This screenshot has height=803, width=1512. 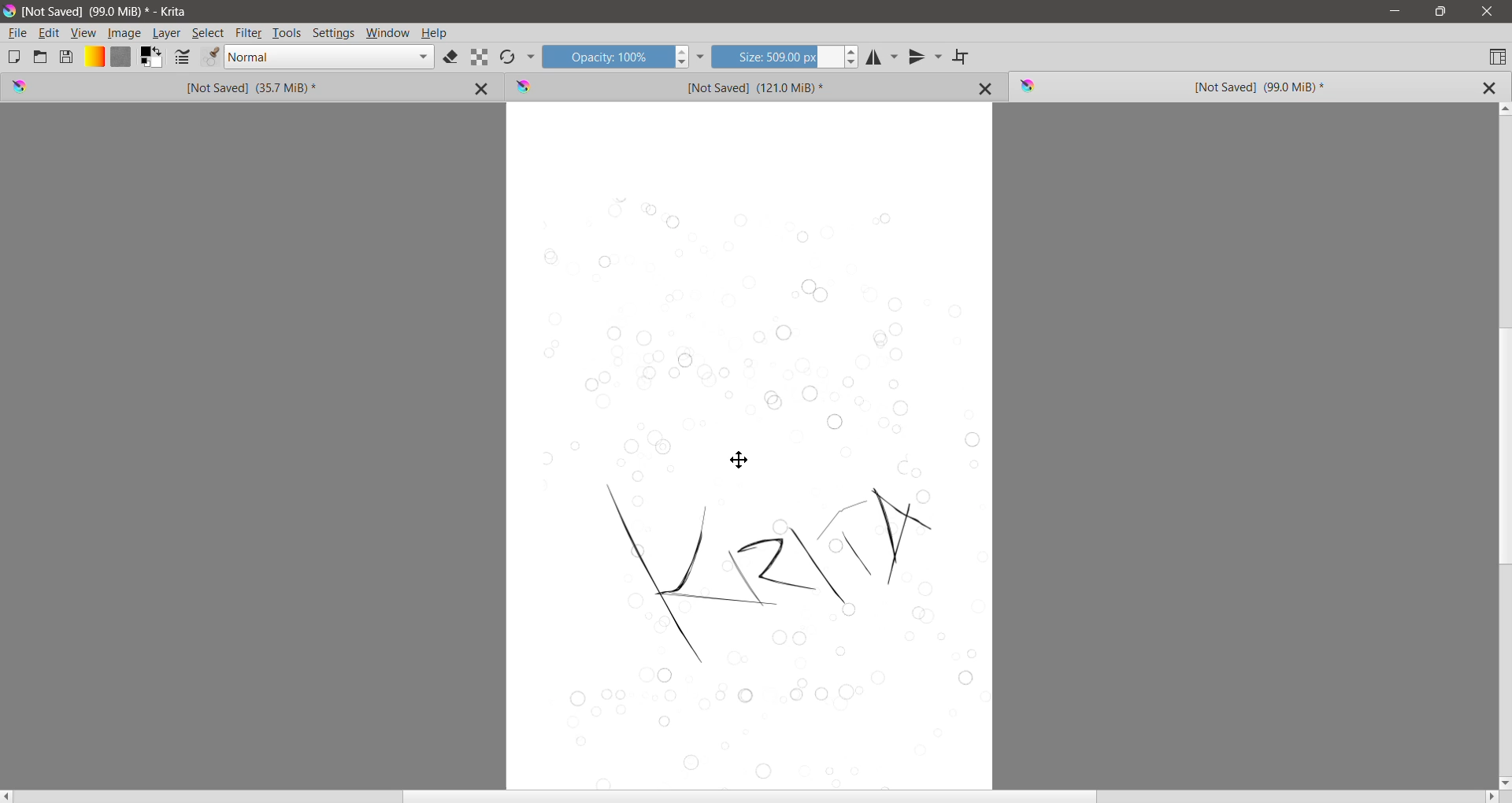 I want to click on Layer, so click(x=168, y=33).